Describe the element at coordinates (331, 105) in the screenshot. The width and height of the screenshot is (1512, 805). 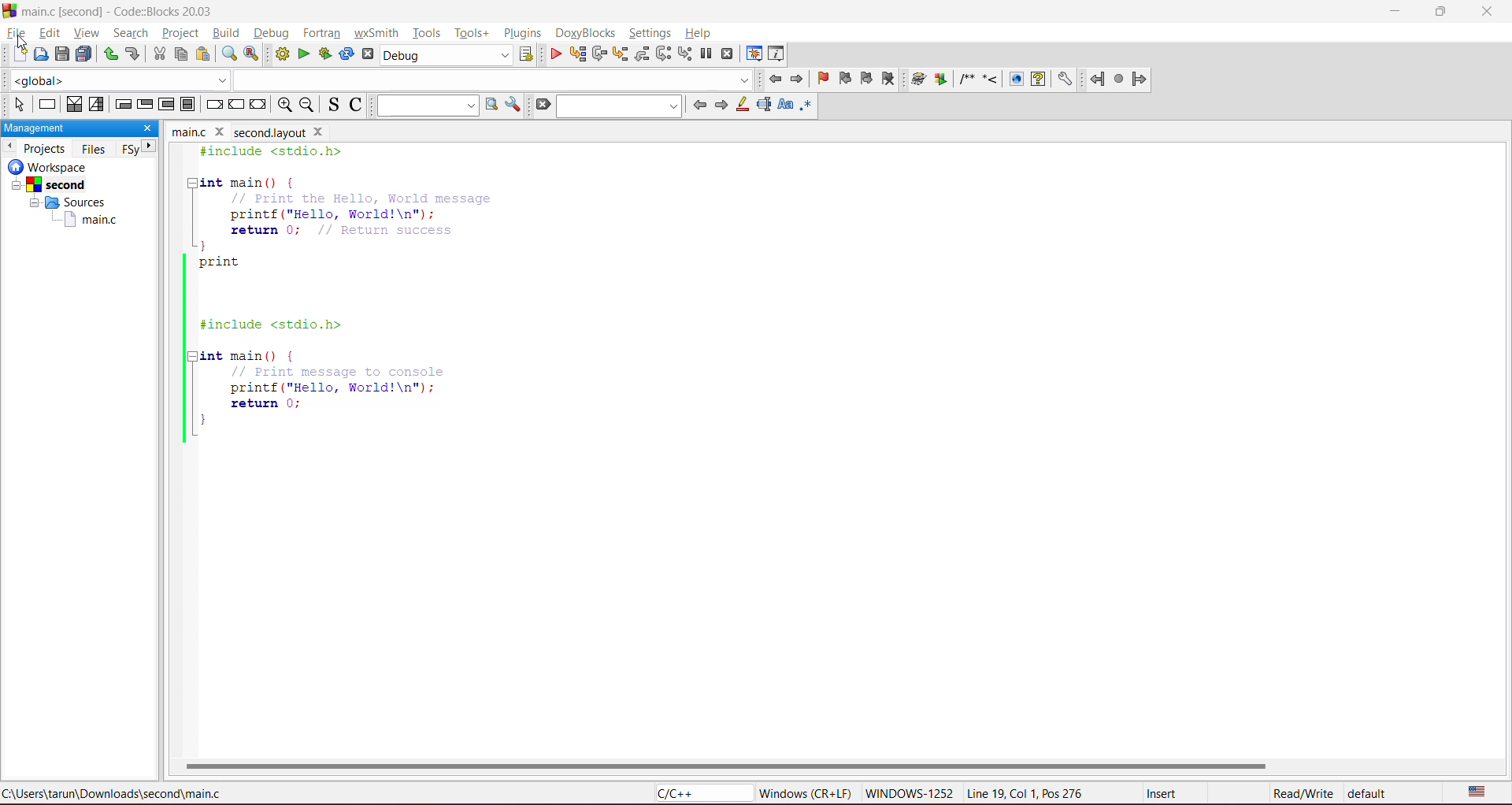
I see `toggle source` at that location.